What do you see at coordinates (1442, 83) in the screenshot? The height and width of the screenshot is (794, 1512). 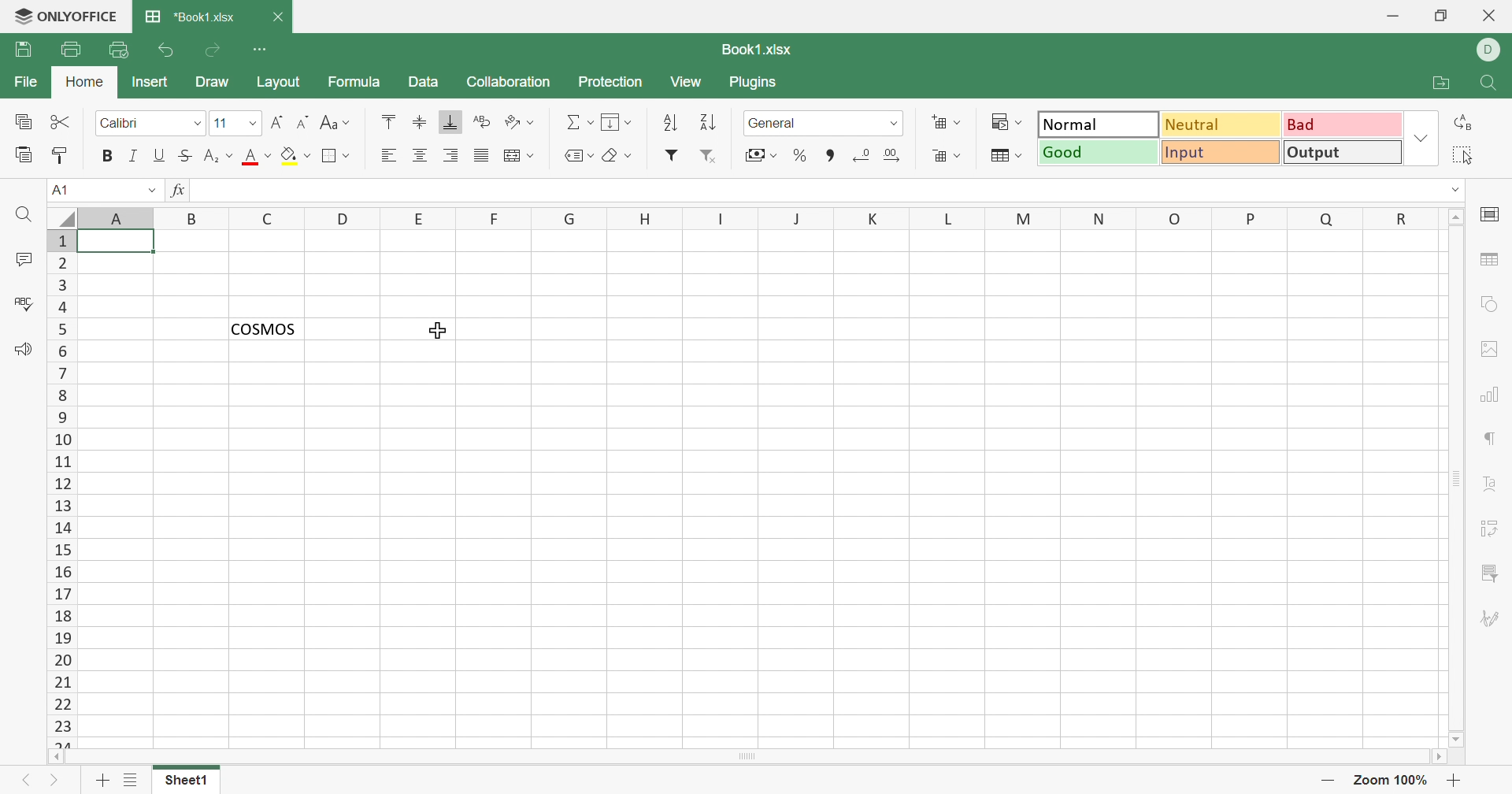 I see `Open file location` at bounding box center [1442, 83].